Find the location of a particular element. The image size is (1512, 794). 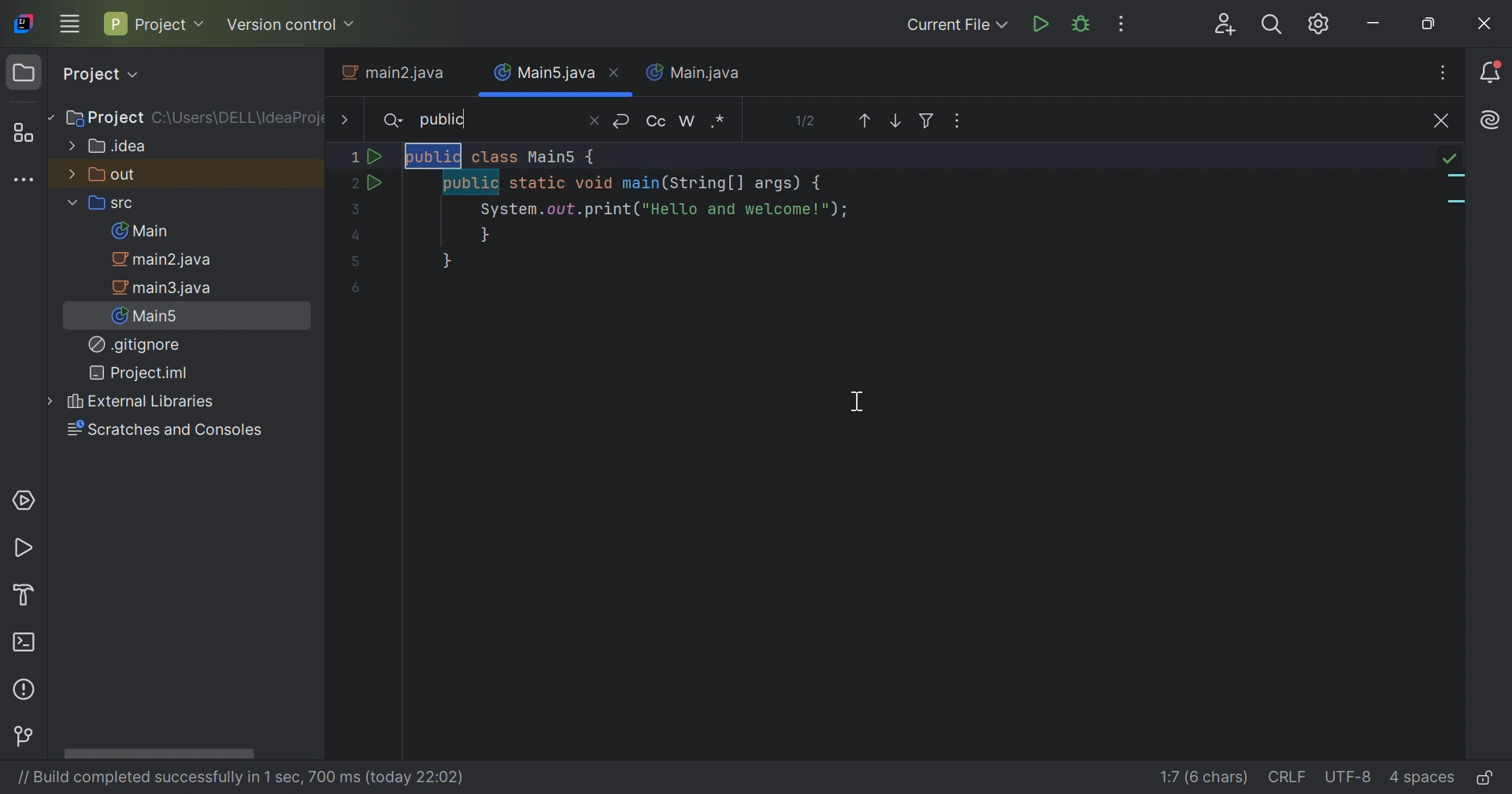

 is located at coordinates (352, 158).